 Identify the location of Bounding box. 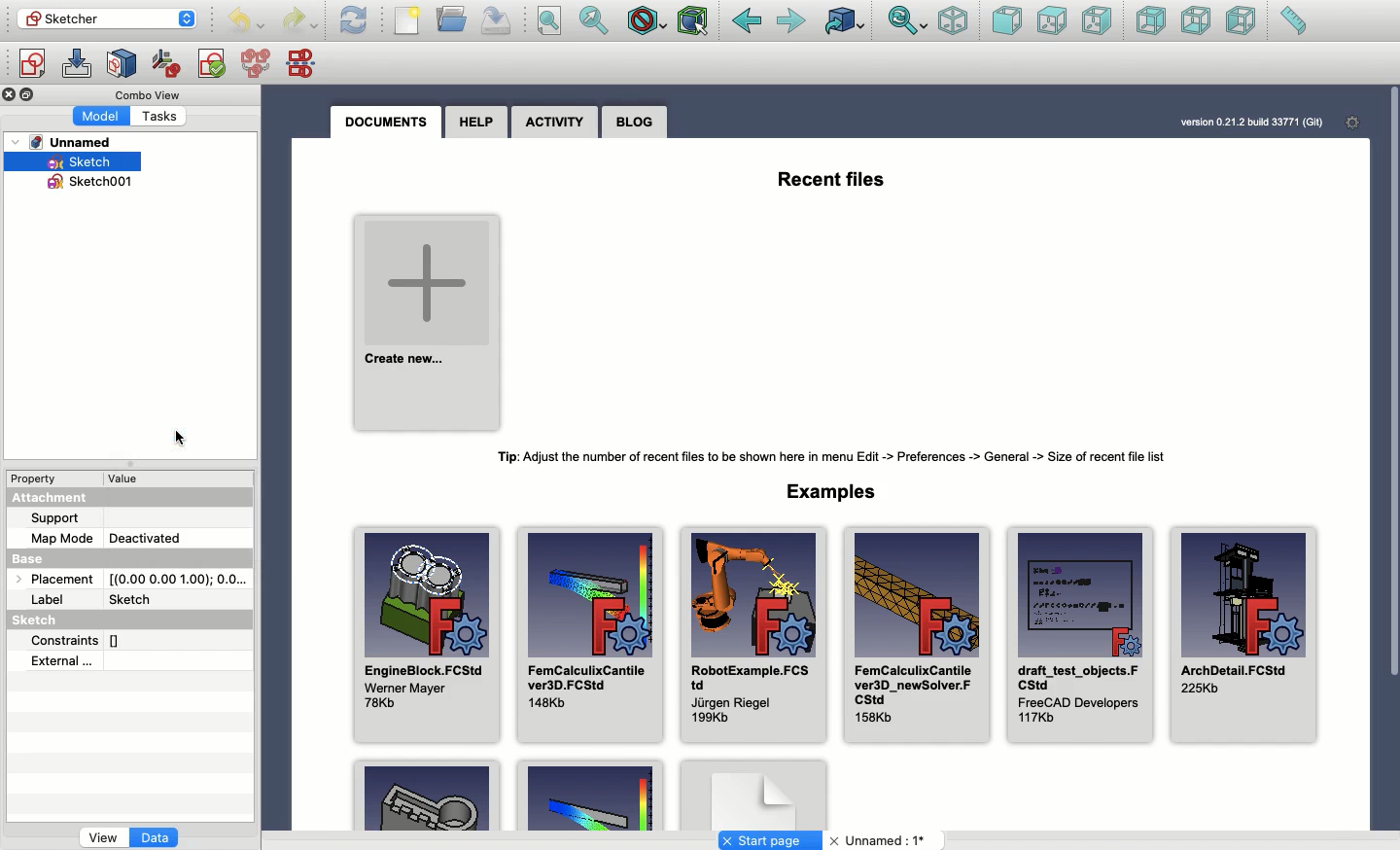
(694, 22).